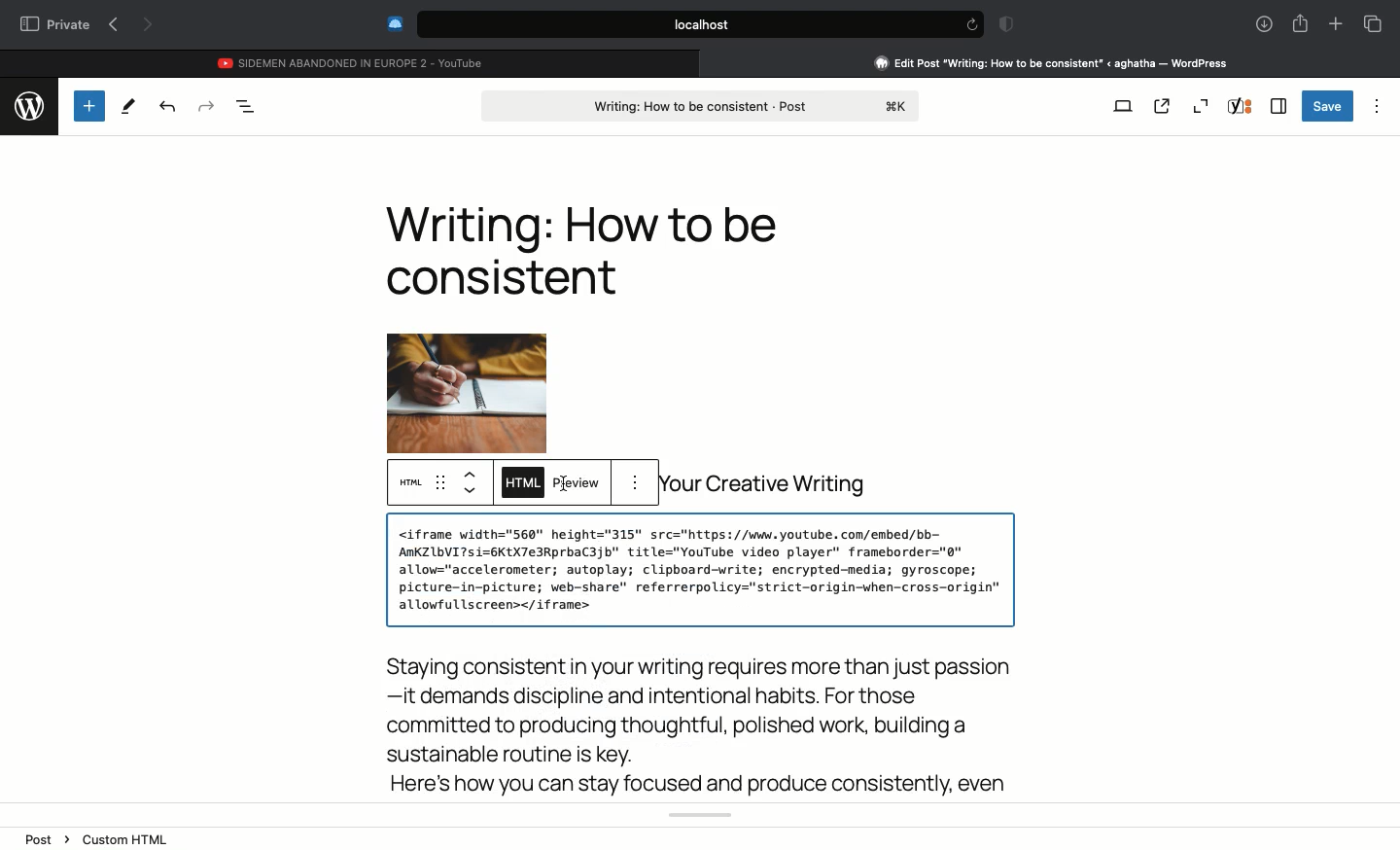 The width and height of the screenshot is (1400, 850). What do you see at coordinates (1200, 106) in the screenshot?
I see `Zoom out` at bounding box center [1200, 106].